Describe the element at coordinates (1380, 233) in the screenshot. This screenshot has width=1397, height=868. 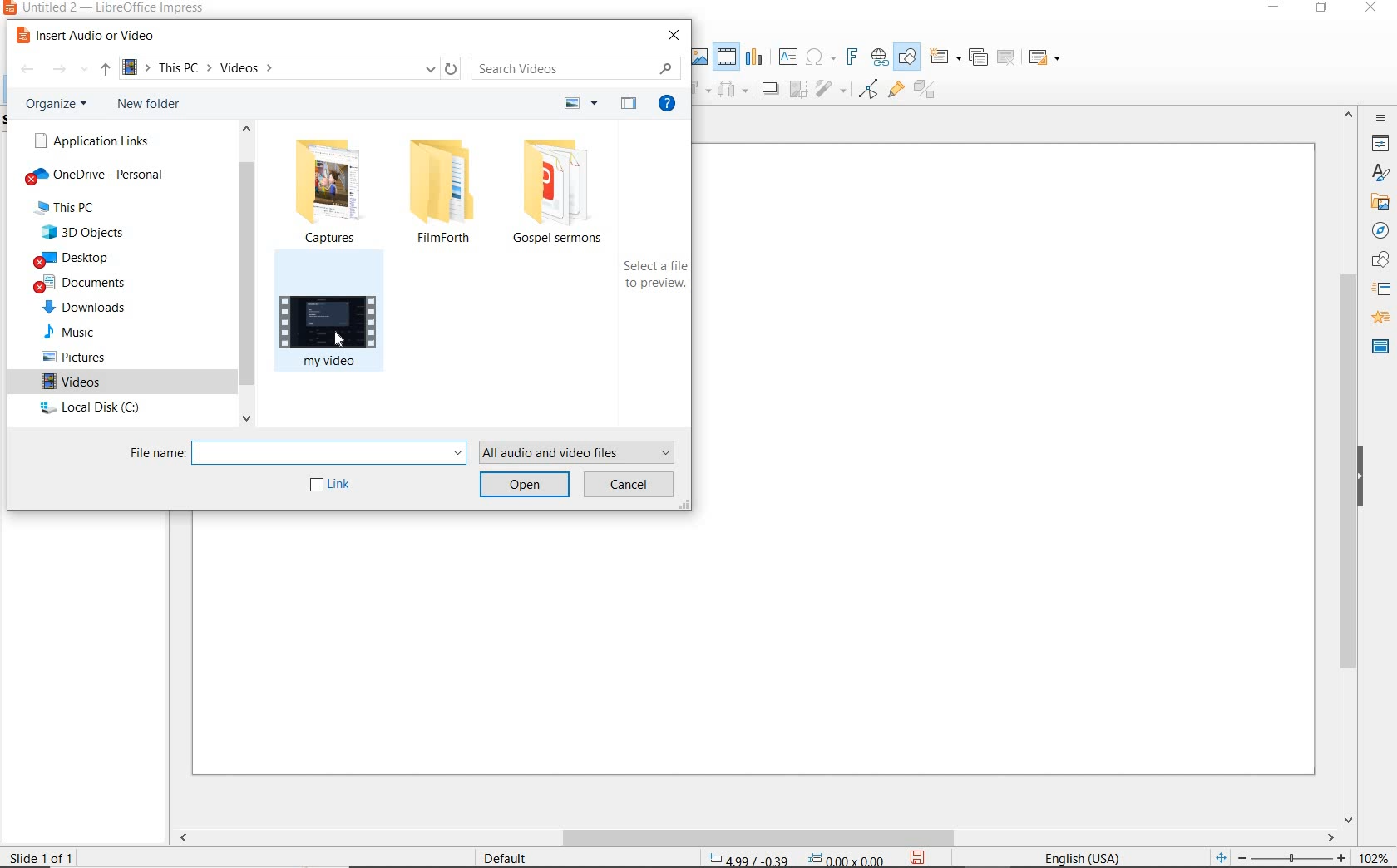
I see `NAVIGATOR` at that location.